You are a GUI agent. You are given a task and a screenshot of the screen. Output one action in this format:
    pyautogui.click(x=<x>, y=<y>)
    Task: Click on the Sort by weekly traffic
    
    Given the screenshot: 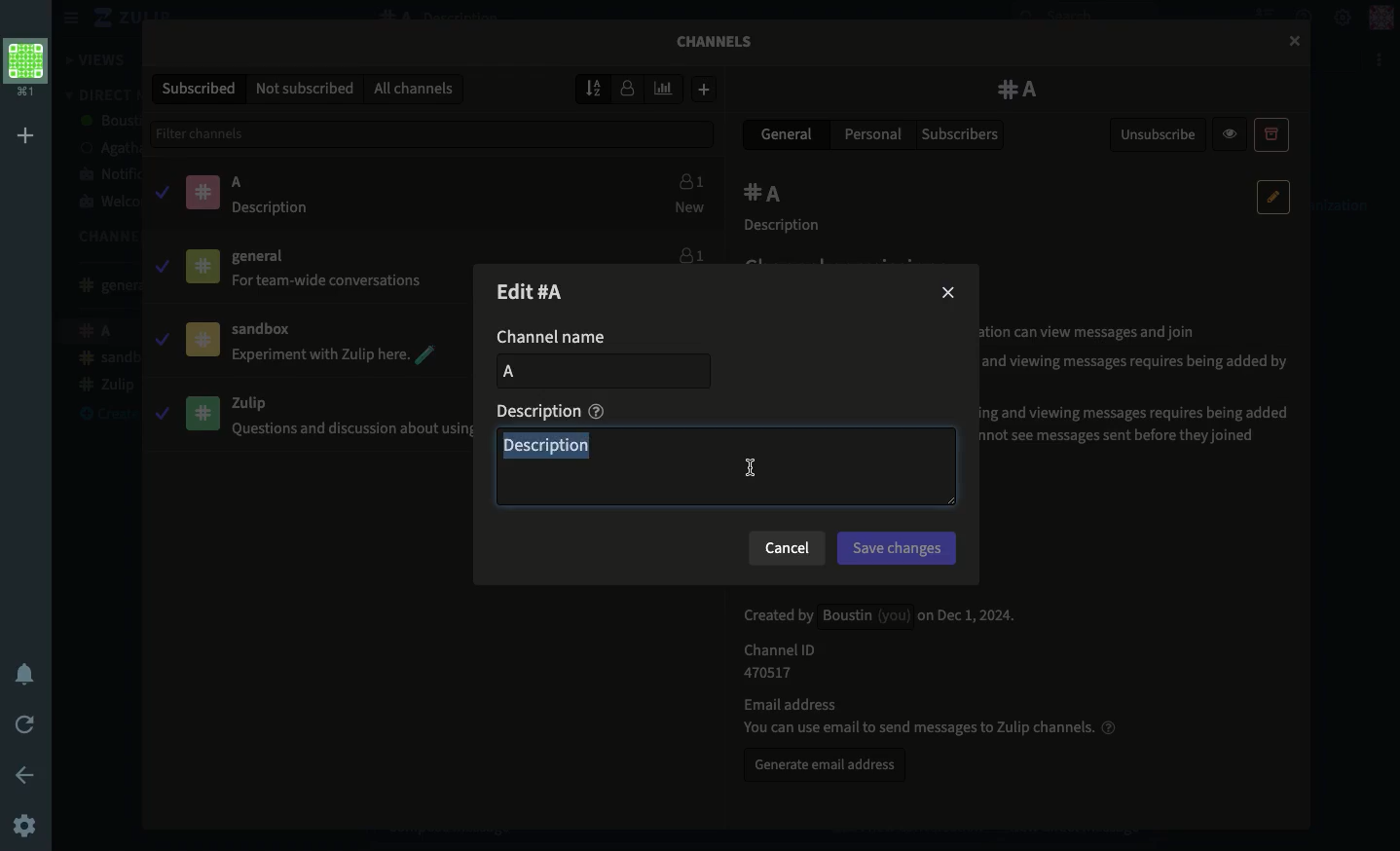 What is the action you would take?
    pyautogui.click(x=666, y=89)
    